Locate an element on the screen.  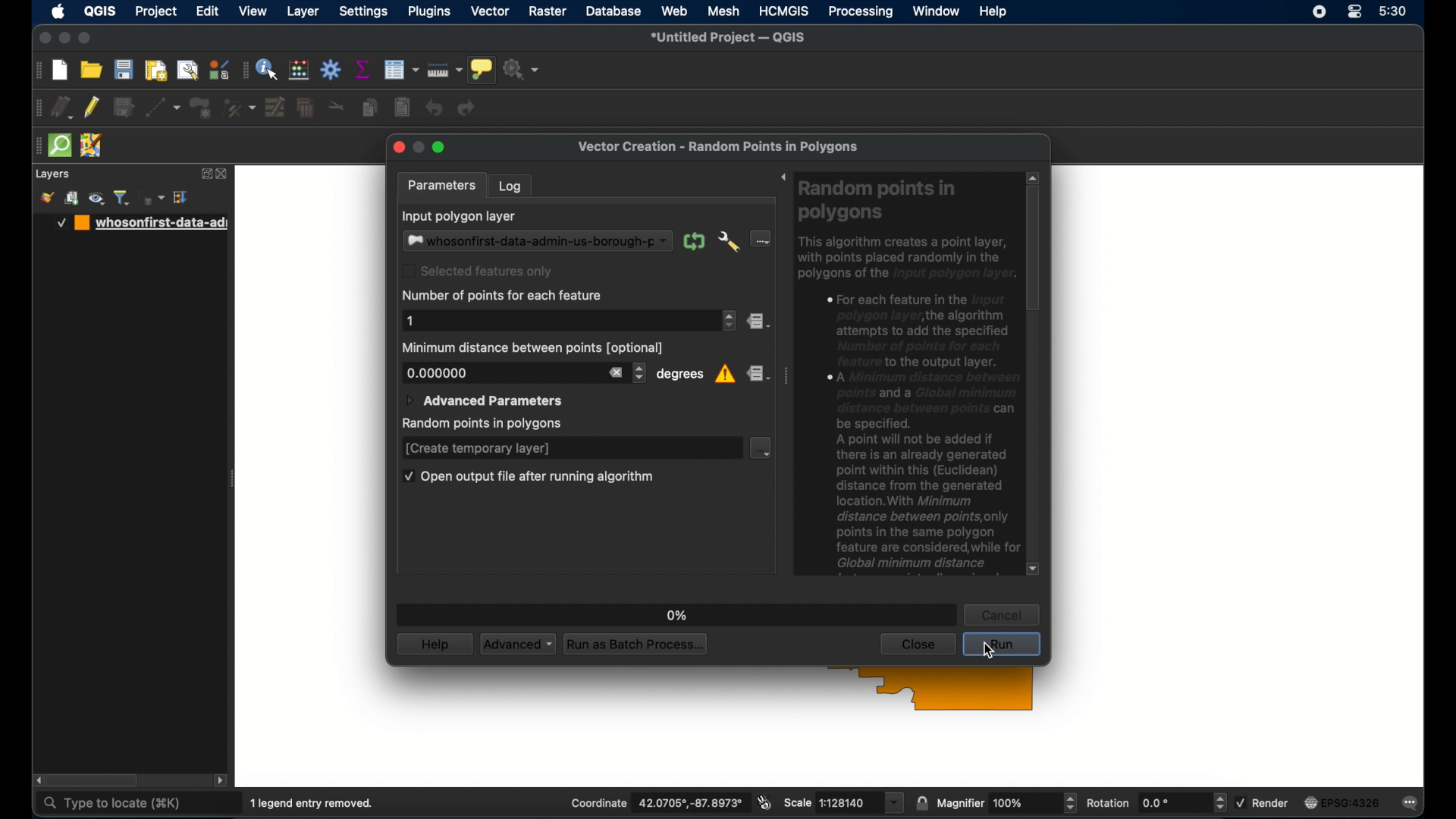
stepper buttons is located at coordinates (728, 320).